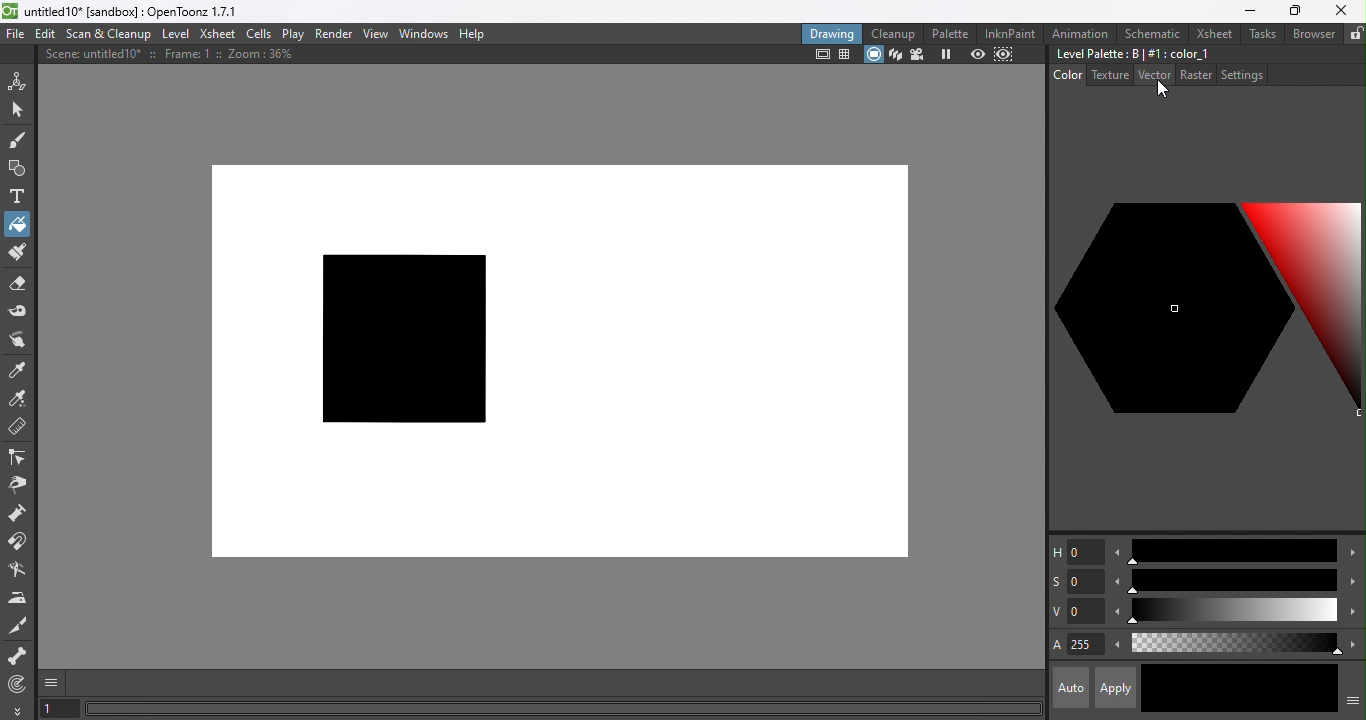 The height and width of the screenshot is (720, 1366). Describe the element at coordinates (893, 55) in the screenshot. I see `3D View` at that location.